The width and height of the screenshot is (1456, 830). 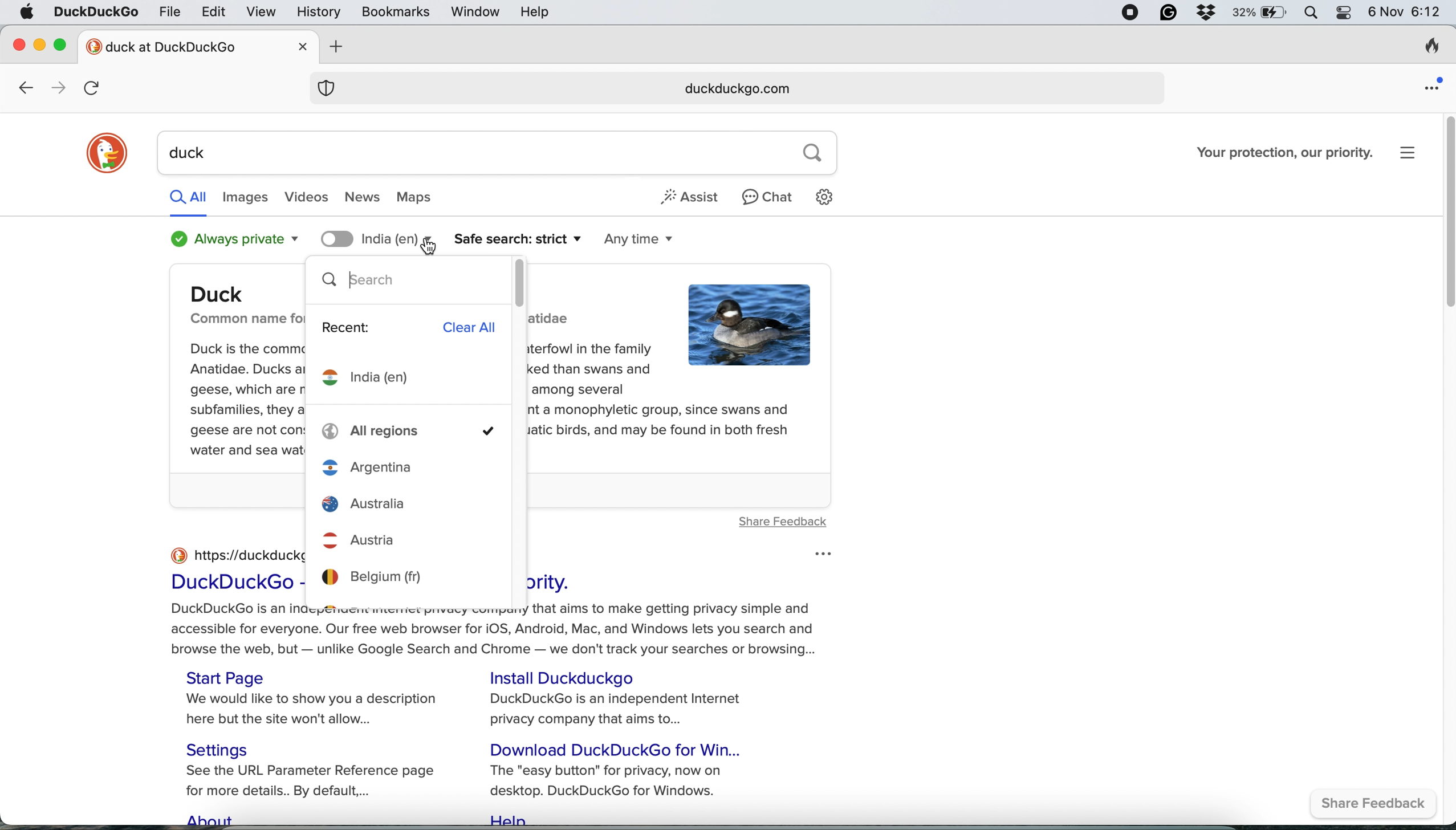 I want to click on settings, so click(x=829, y=197).